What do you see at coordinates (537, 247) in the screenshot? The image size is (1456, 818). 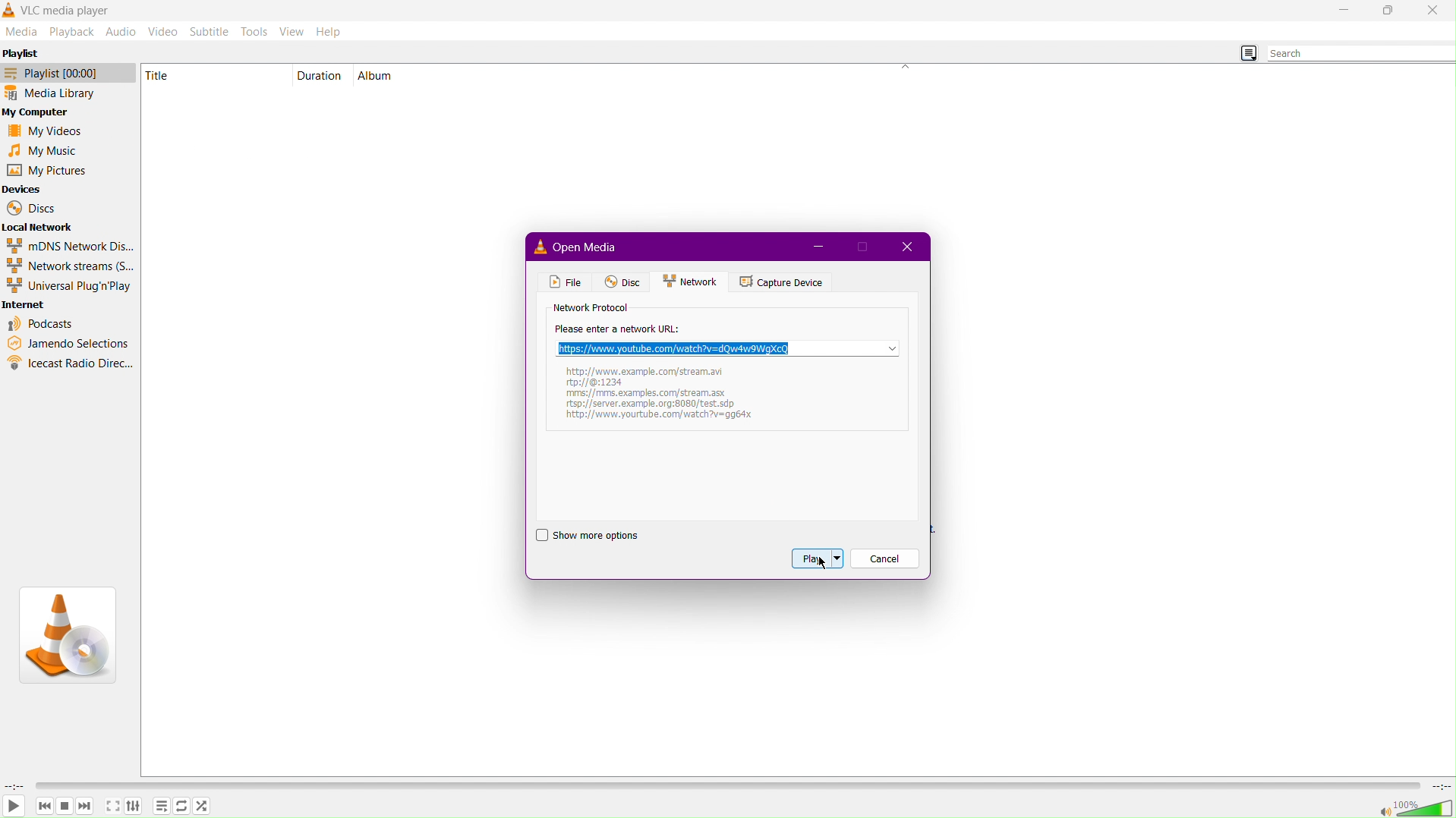 I see `logo` at bounding box center [537, 247].